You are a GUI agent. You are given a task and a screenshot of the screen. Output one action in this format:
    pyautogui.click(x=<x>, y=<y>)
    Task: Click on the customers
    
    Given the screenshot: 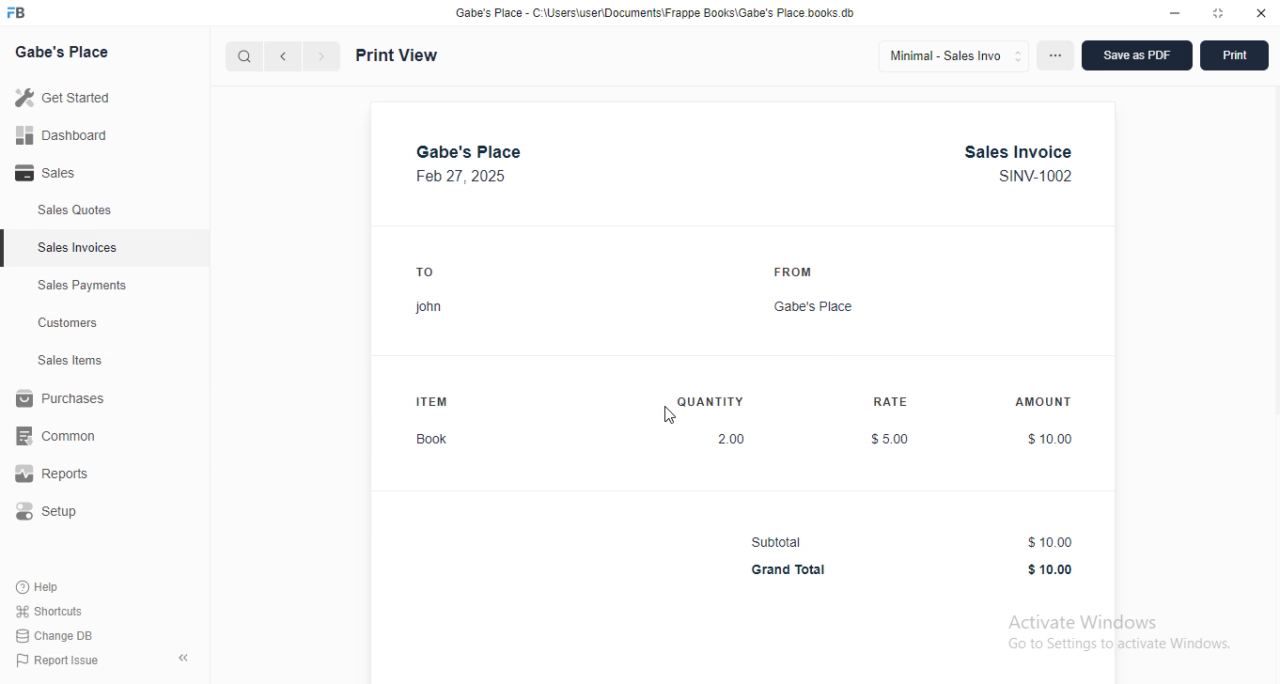 What is the action you would take?
    pyautogui.click(x=69, y=323)
    